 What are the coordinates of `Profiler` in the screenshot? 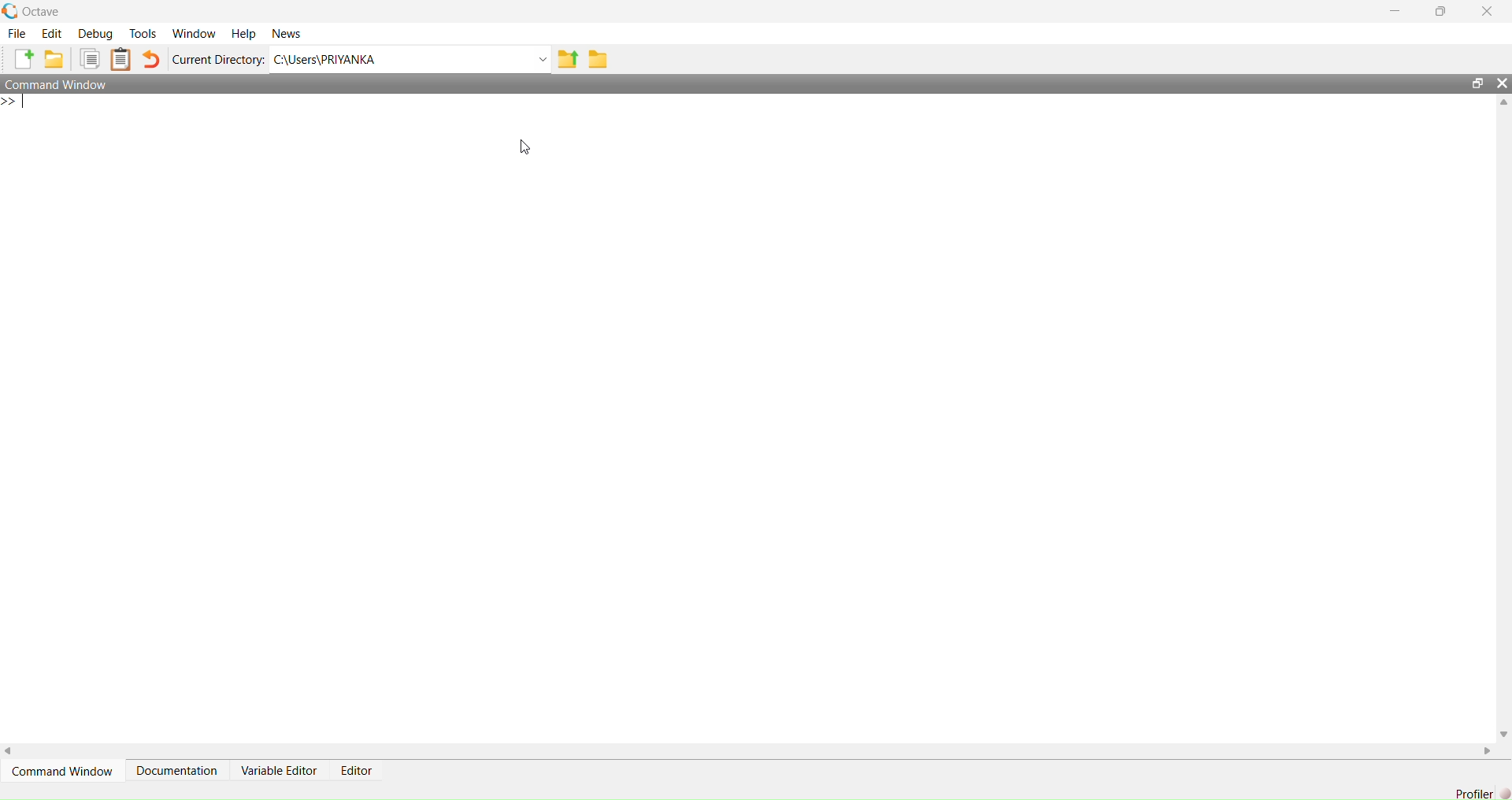 It's located at (1479, 791).